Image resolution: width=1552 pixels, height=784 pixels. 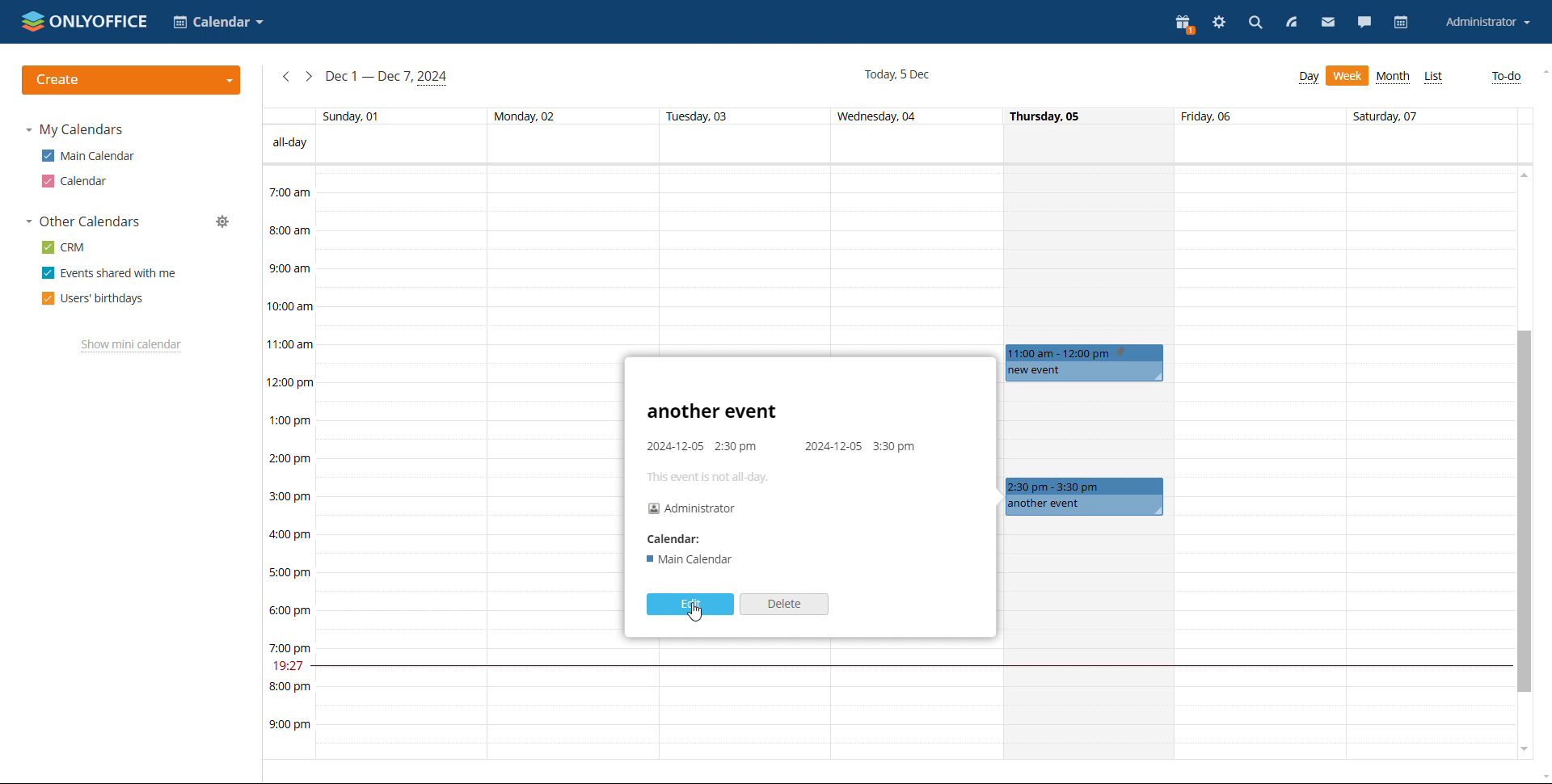 I want to click on scroll down, so click(x=1523, y=748).